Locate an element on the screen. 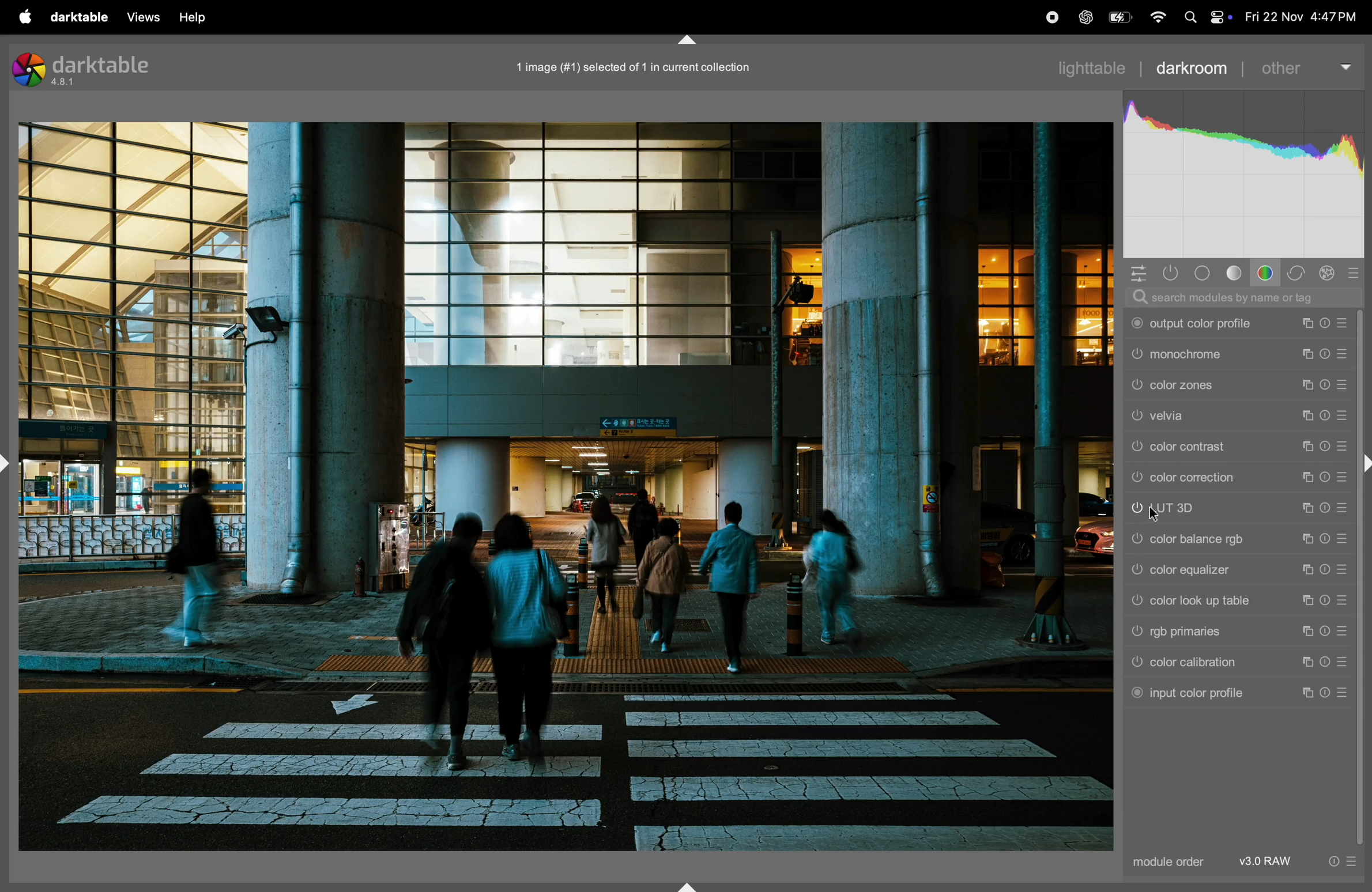  correct is located at coordinates (1297, 272).